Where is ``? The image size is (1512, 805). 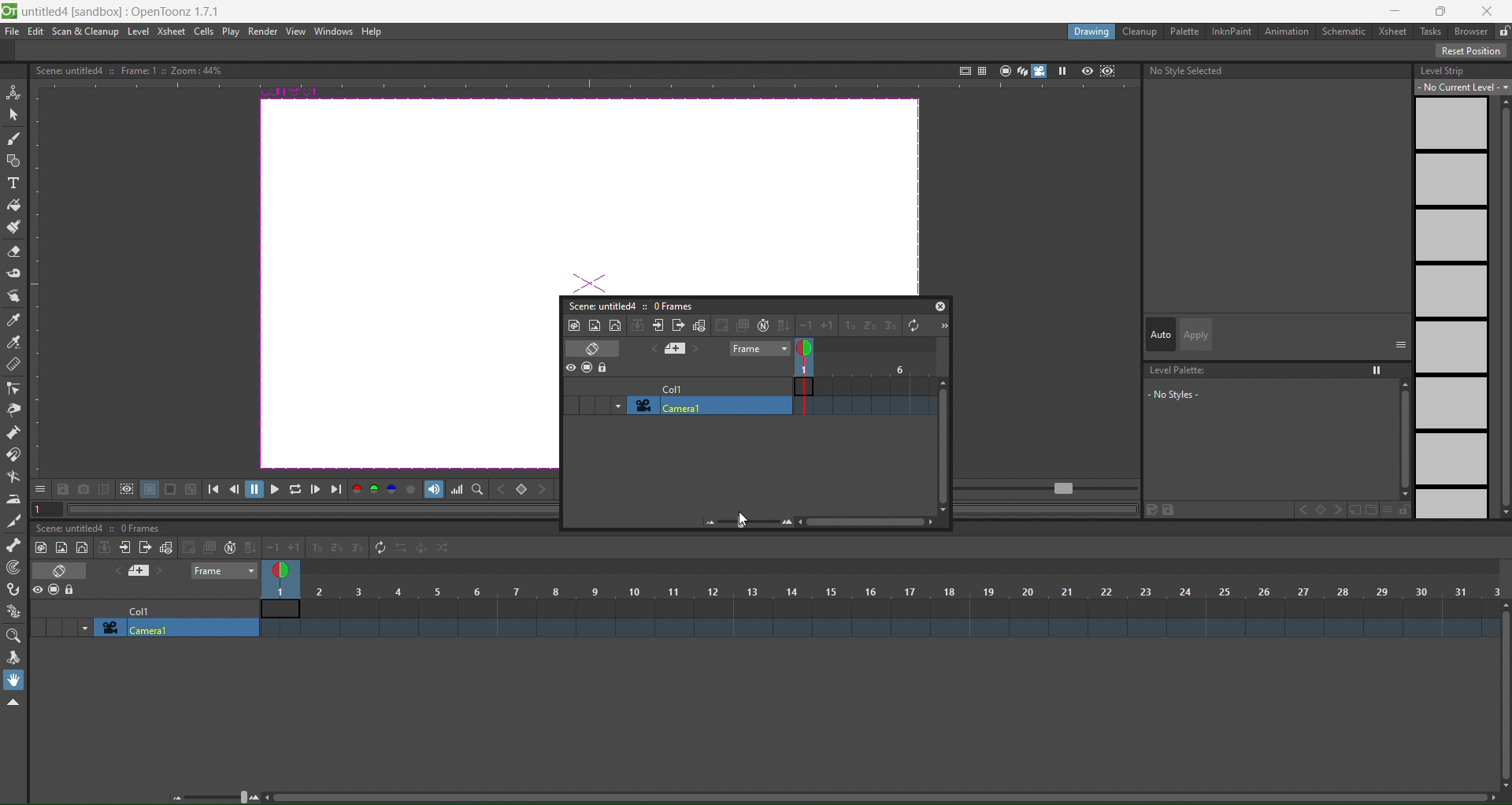  is located at coordinates (723, 325).